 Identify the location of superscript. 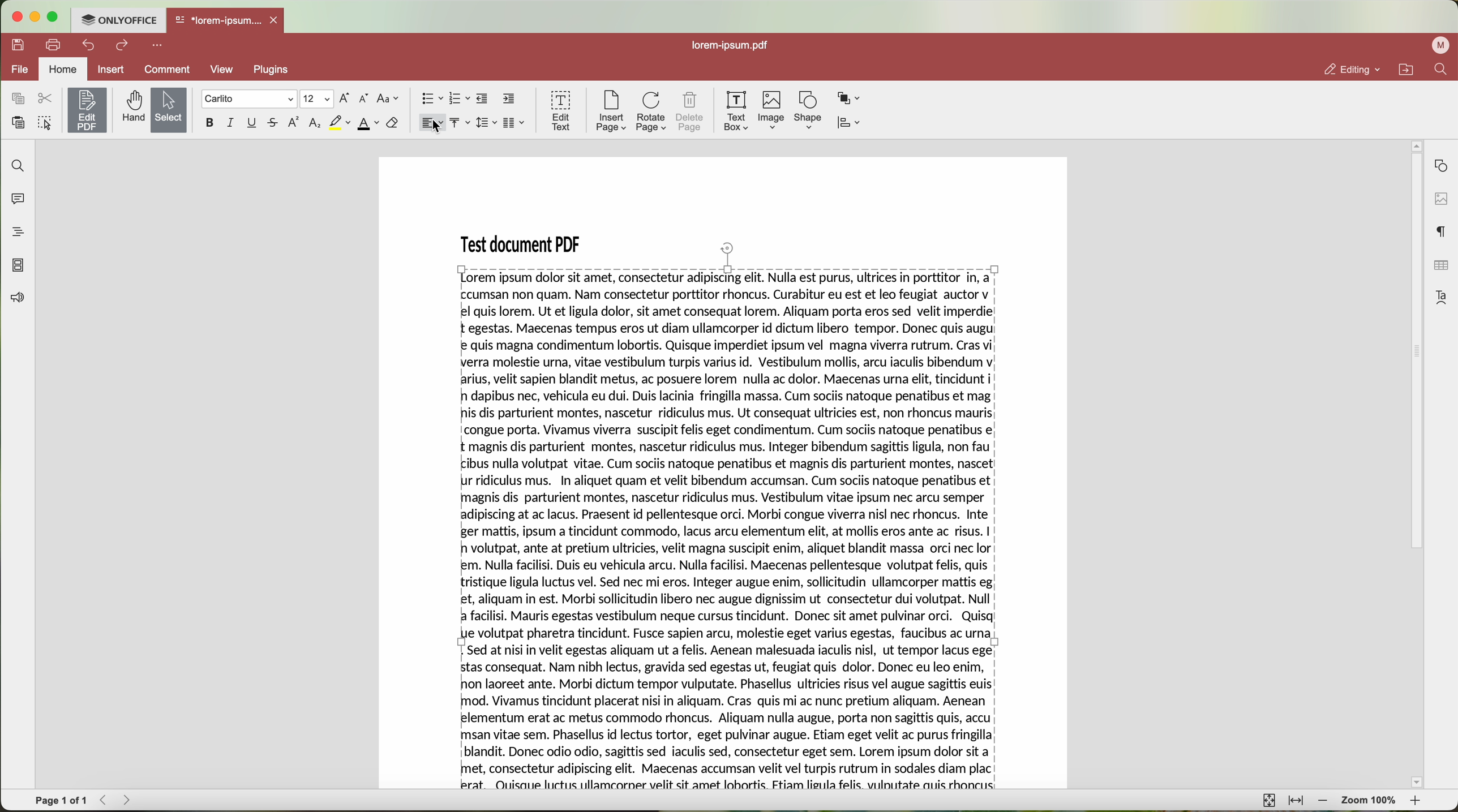
(293, 122).